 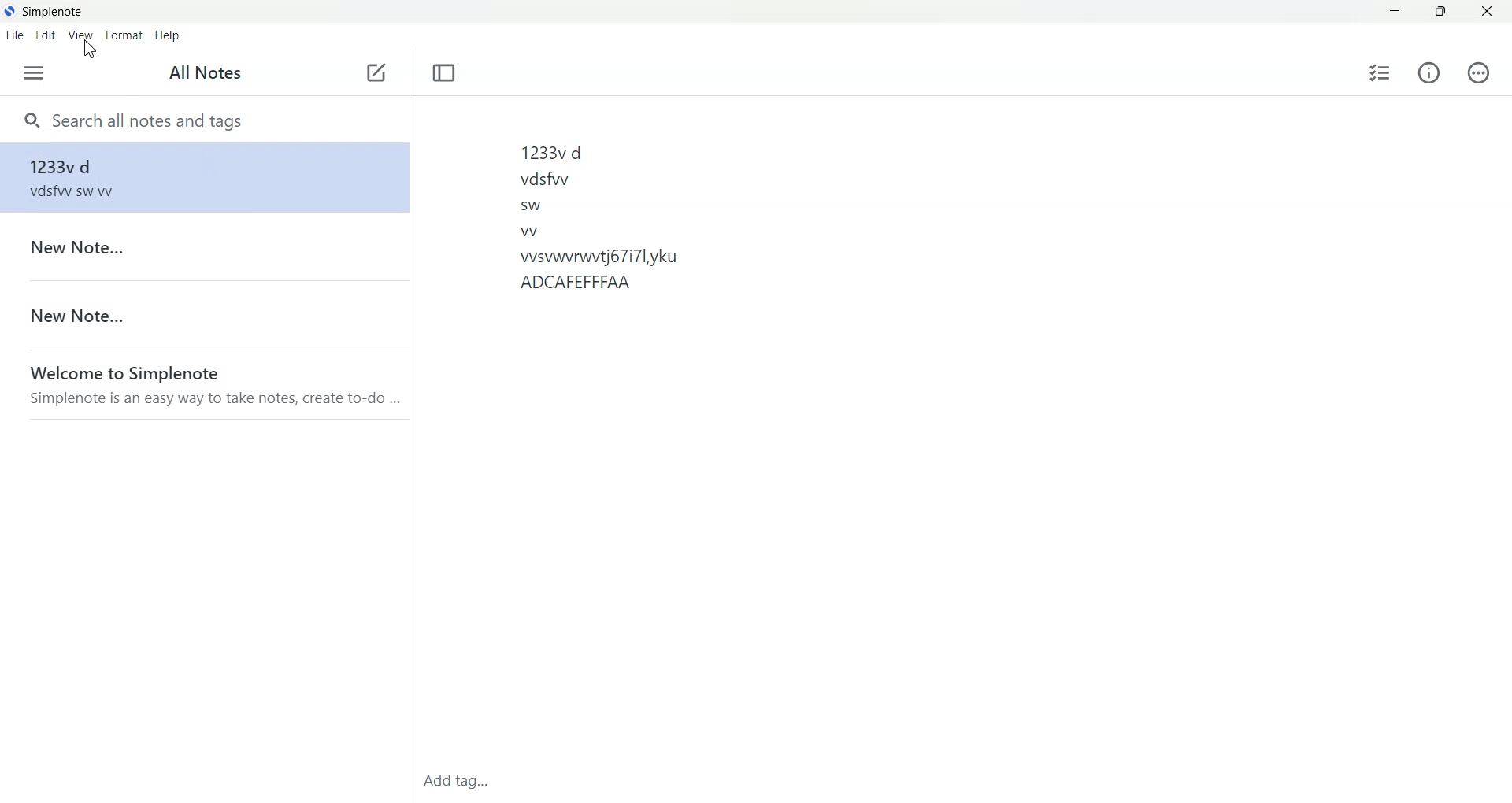 I want to click on Insert checklist, so click(x=1381, y=72).